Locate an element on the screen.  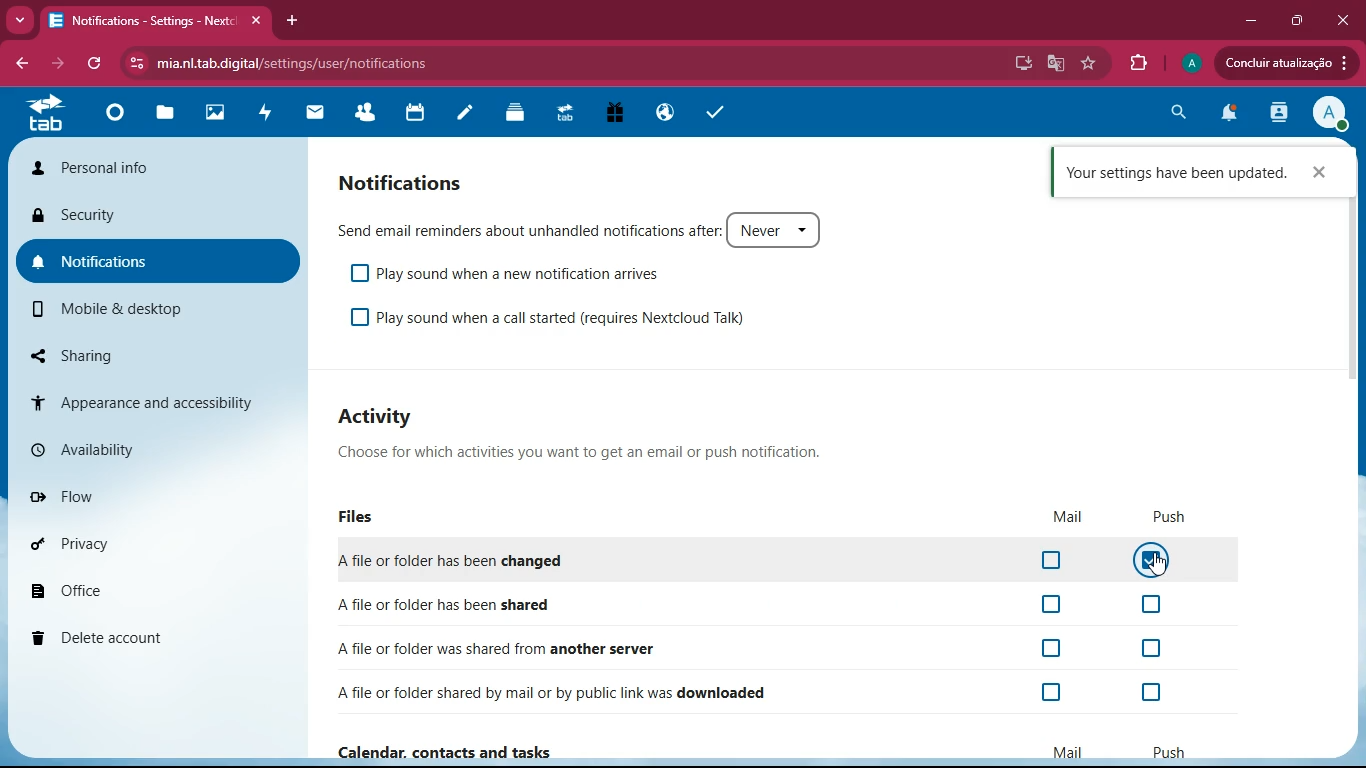
mail is located at coordinates (316, 114).